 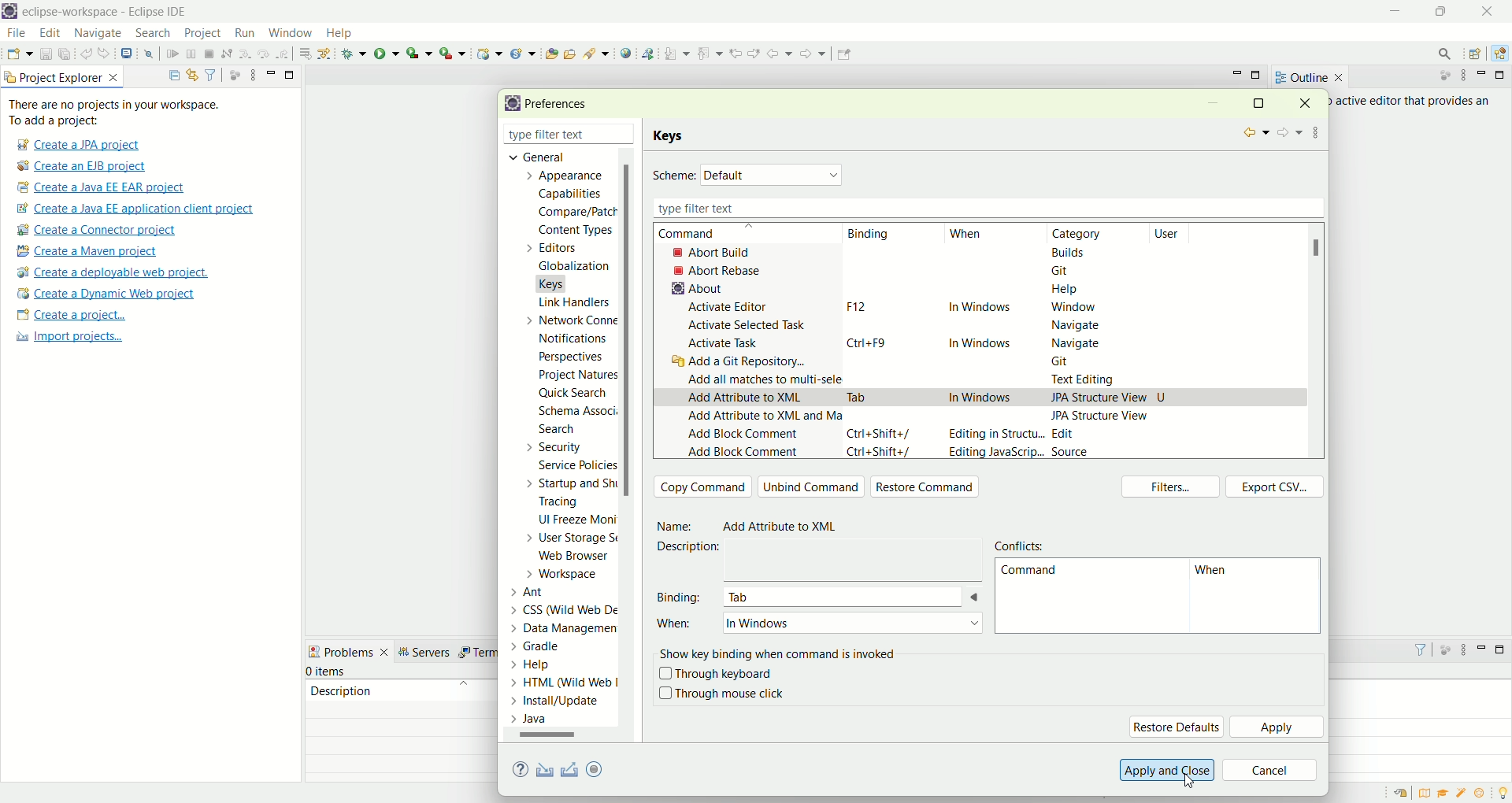 I want to click on add block comment, so click(x=743, y=436).